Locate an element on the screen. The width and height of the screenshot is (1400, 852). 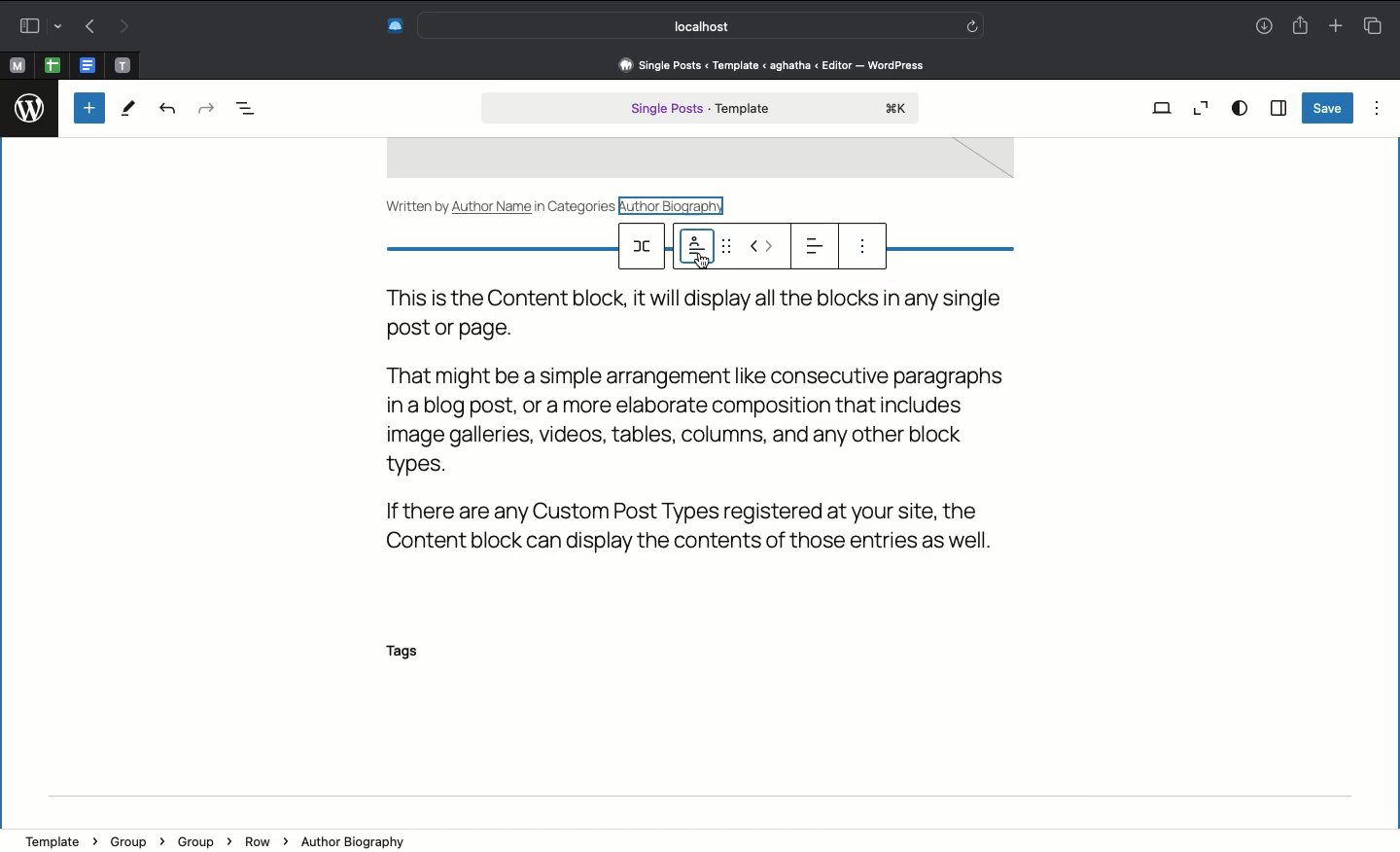
Single post template is located at coordinates (700, 110).